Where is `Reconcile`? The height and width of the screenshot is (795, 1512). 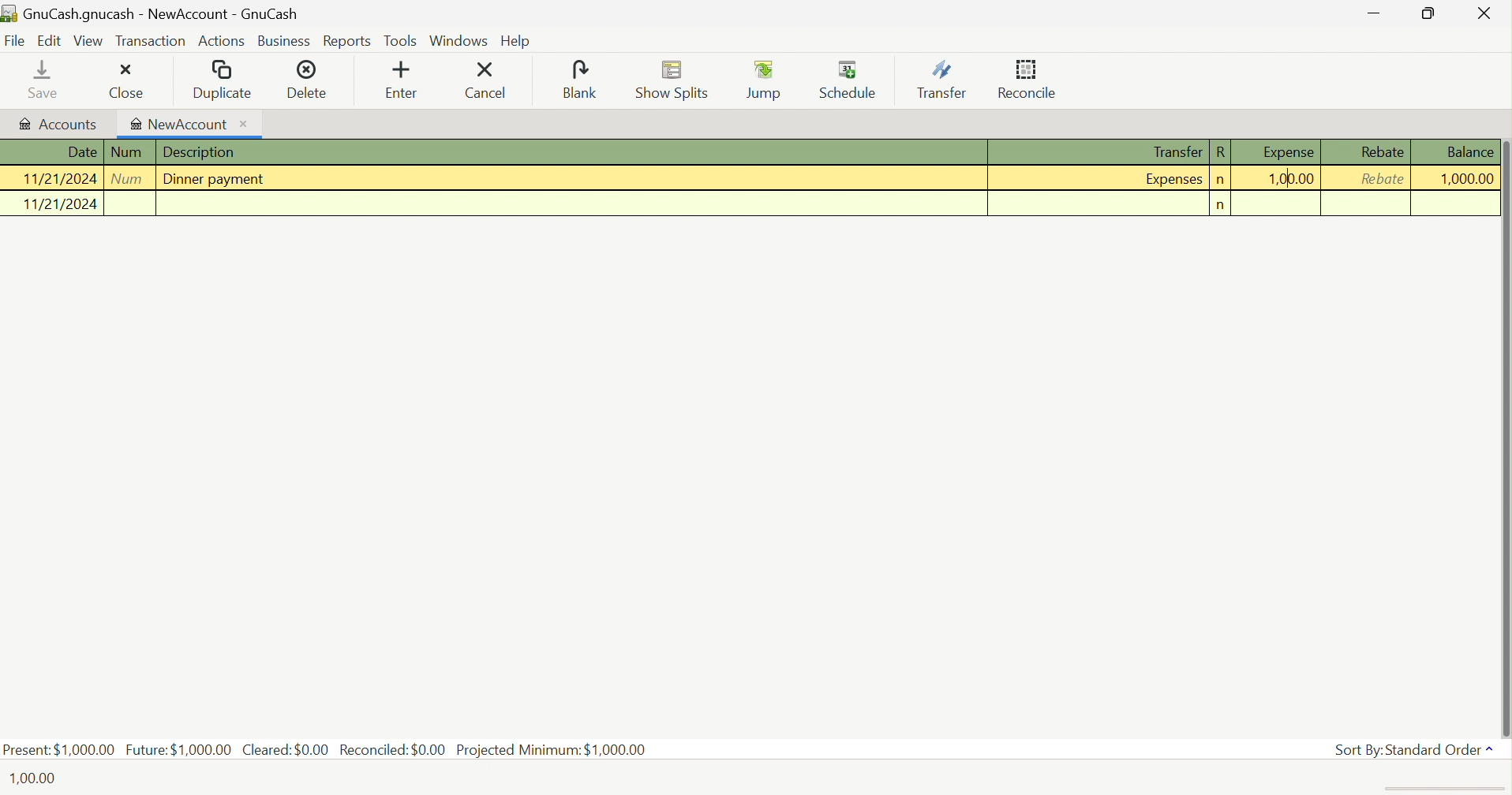
Reconcile is located at coordinates (1027, 79).